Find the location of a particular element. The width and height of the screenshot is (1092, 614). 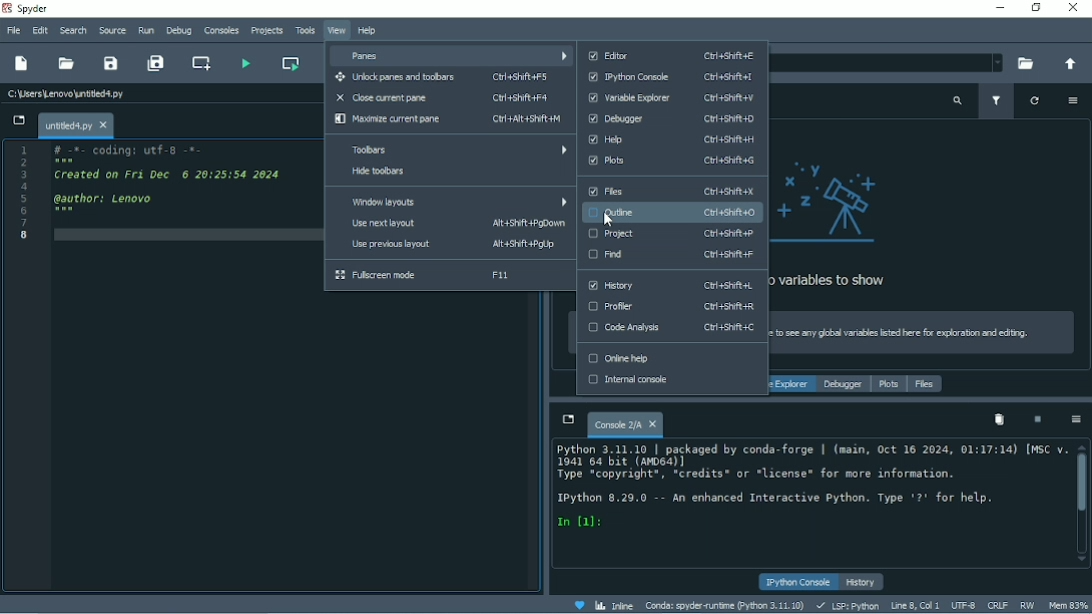

History is located at coordinates (670, 287).